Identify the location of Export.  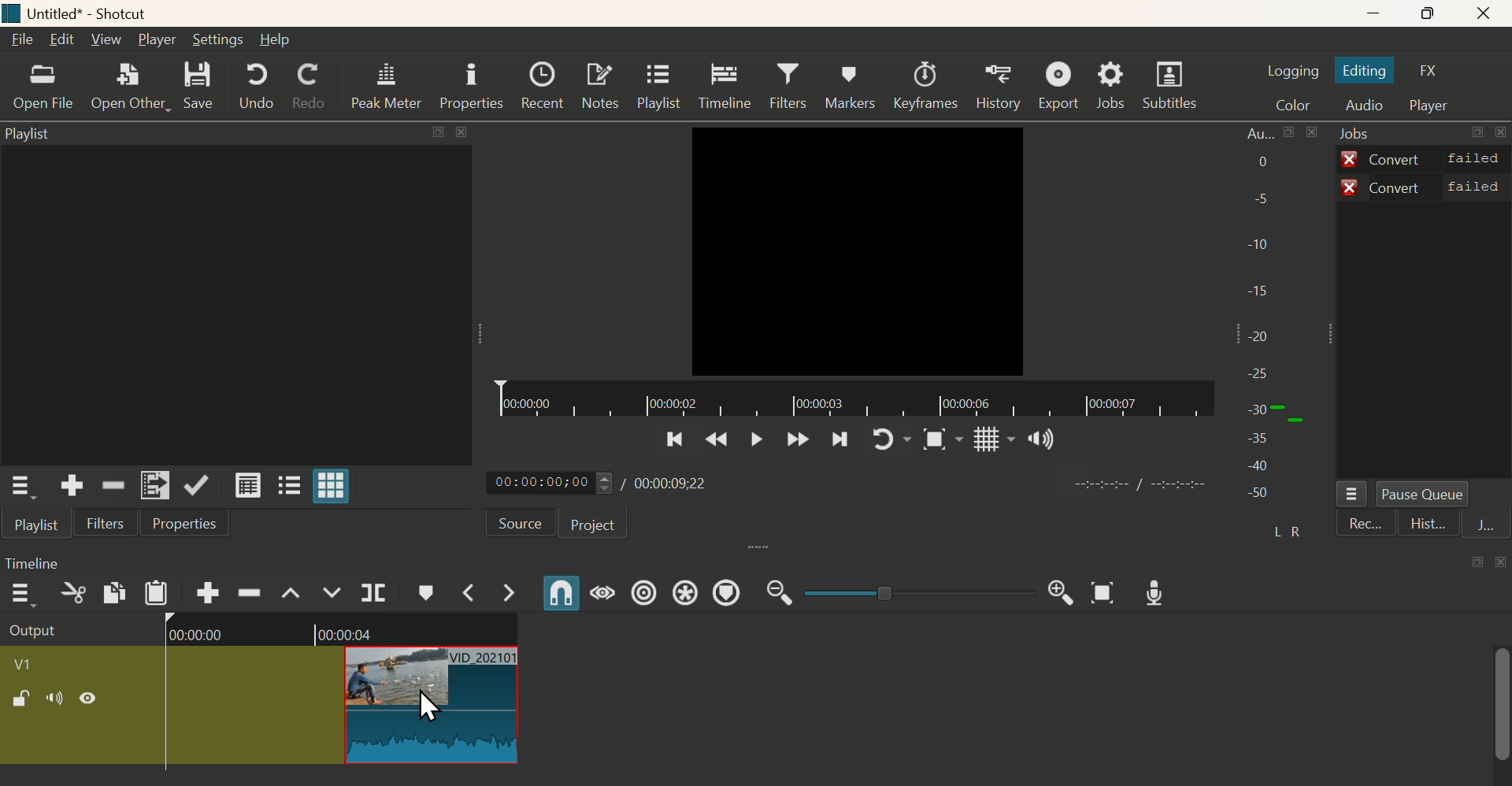
(1061, 87).